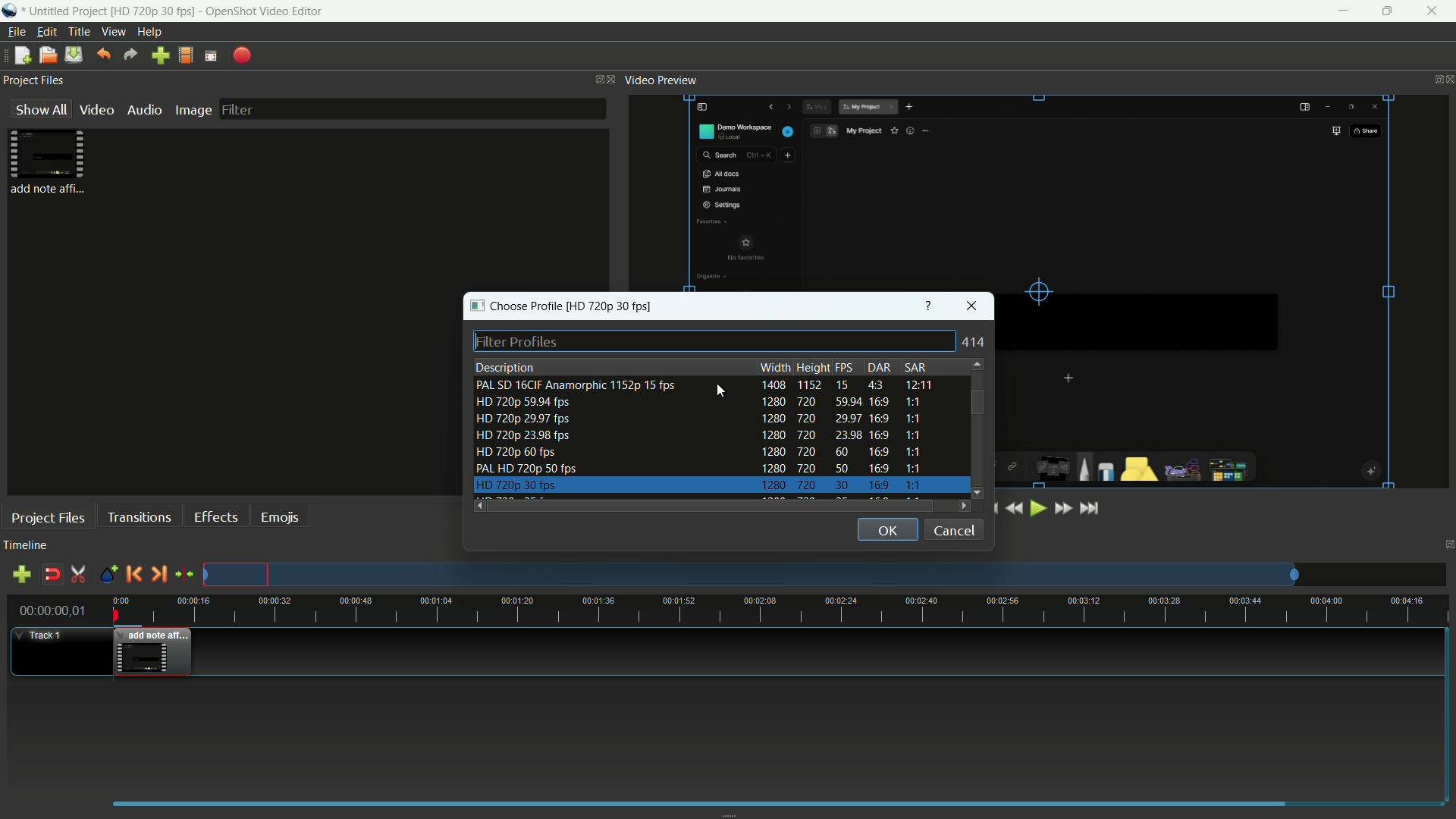 The height and width of the screenshot is (819, 1456). Describe the element at coordinates (721, 391) in the screenshot. I see `Cursor` at that location.